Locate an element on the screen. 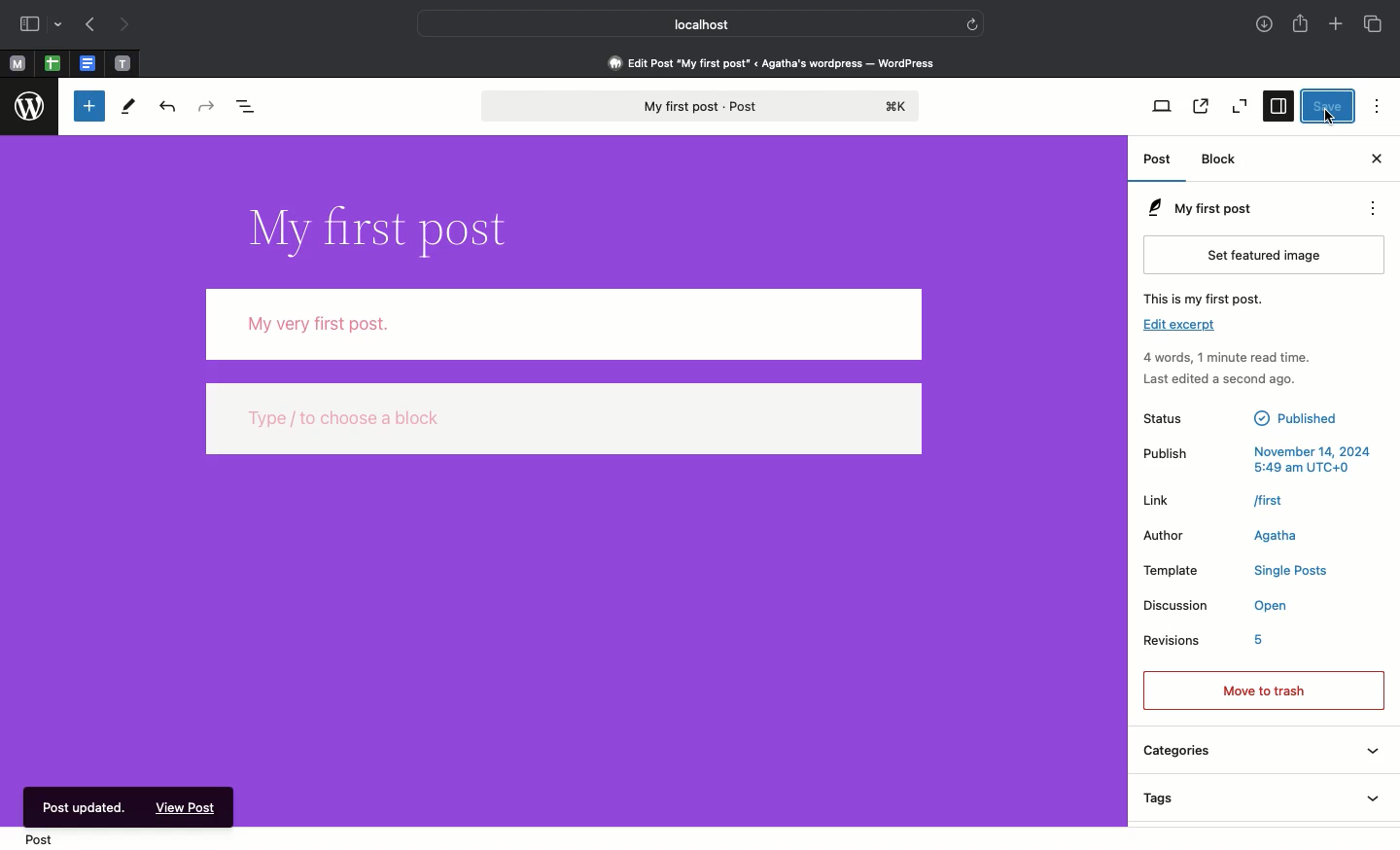  Title is located at coordinates (375, 226).